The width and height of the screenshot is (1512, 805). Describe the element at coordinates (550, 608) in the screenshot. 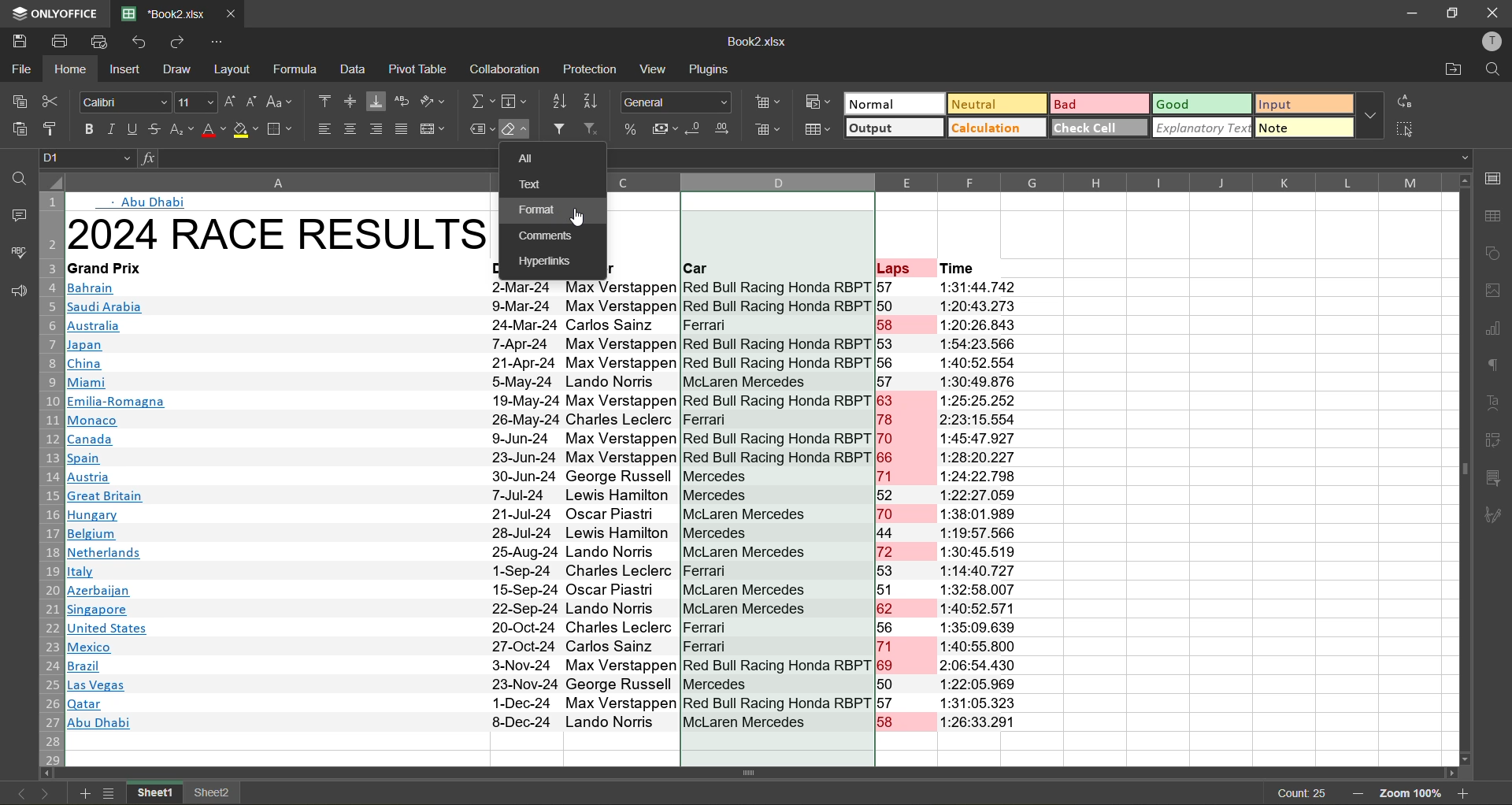

I see `Msingapore 22-Sep-24 Lando Norris ~~ McLaren Mercedes 62 1:40:52 571` at that location.